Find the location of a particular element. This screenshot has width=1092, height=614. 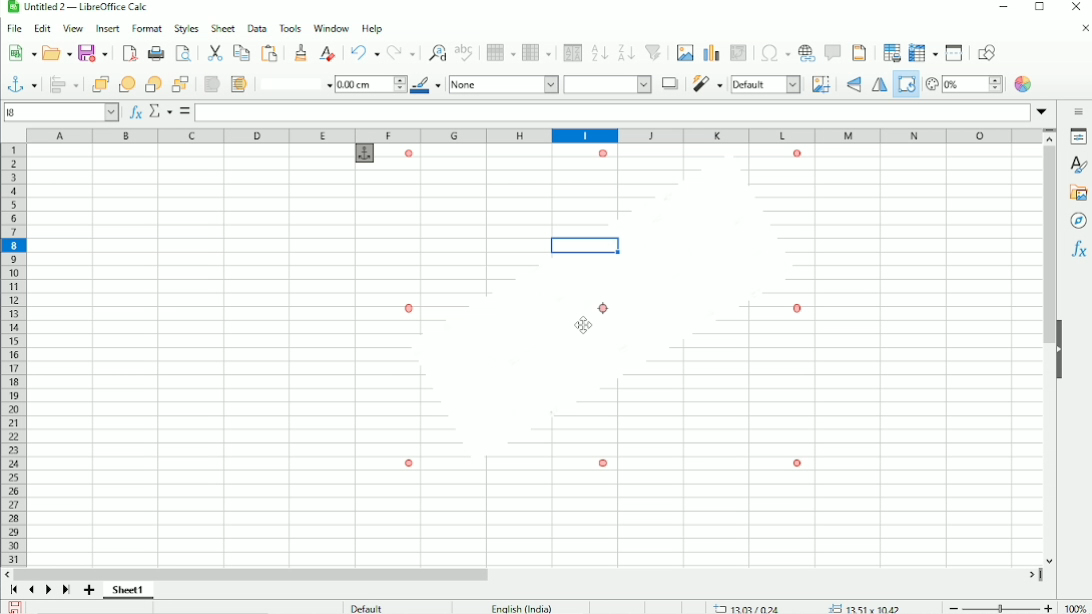

Paste is located at coordinates (269, 52).